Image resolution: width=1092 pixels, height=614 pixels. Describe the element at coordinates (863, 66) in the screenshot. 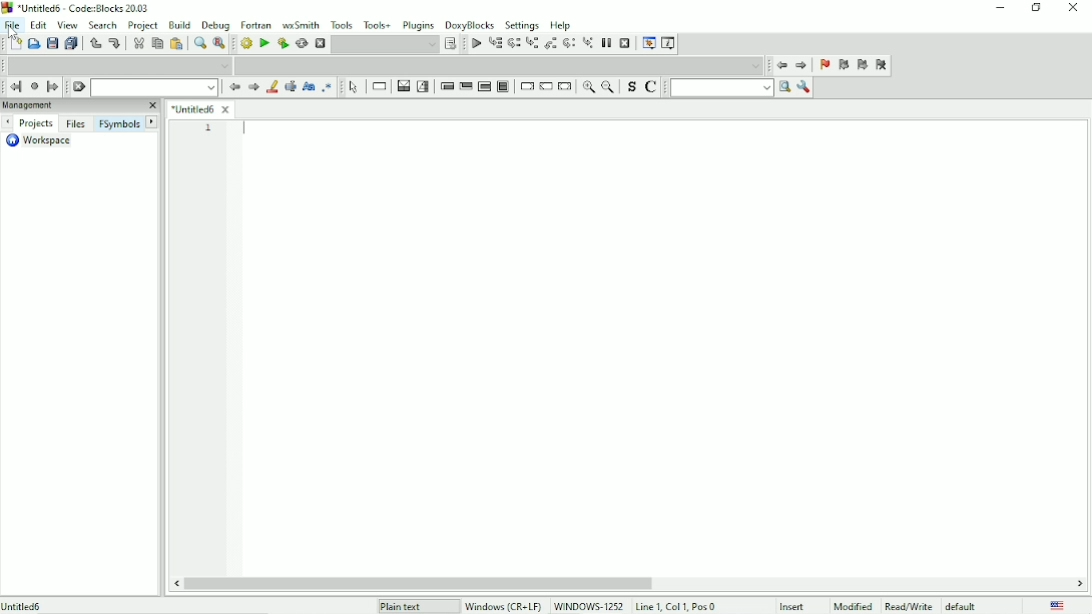

I see `Next bookmark` at that location.